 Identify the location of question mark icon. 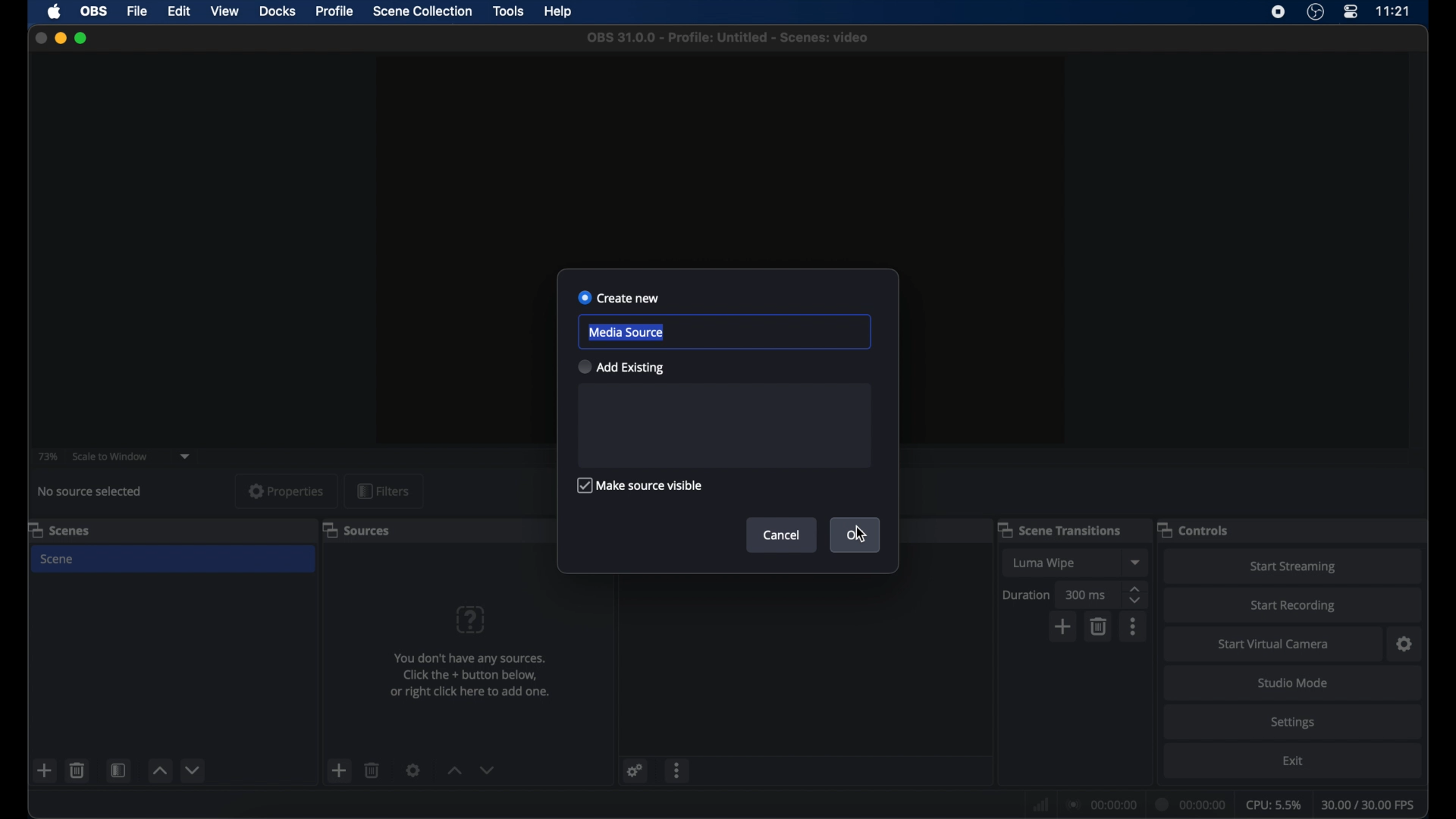
(470, 620).